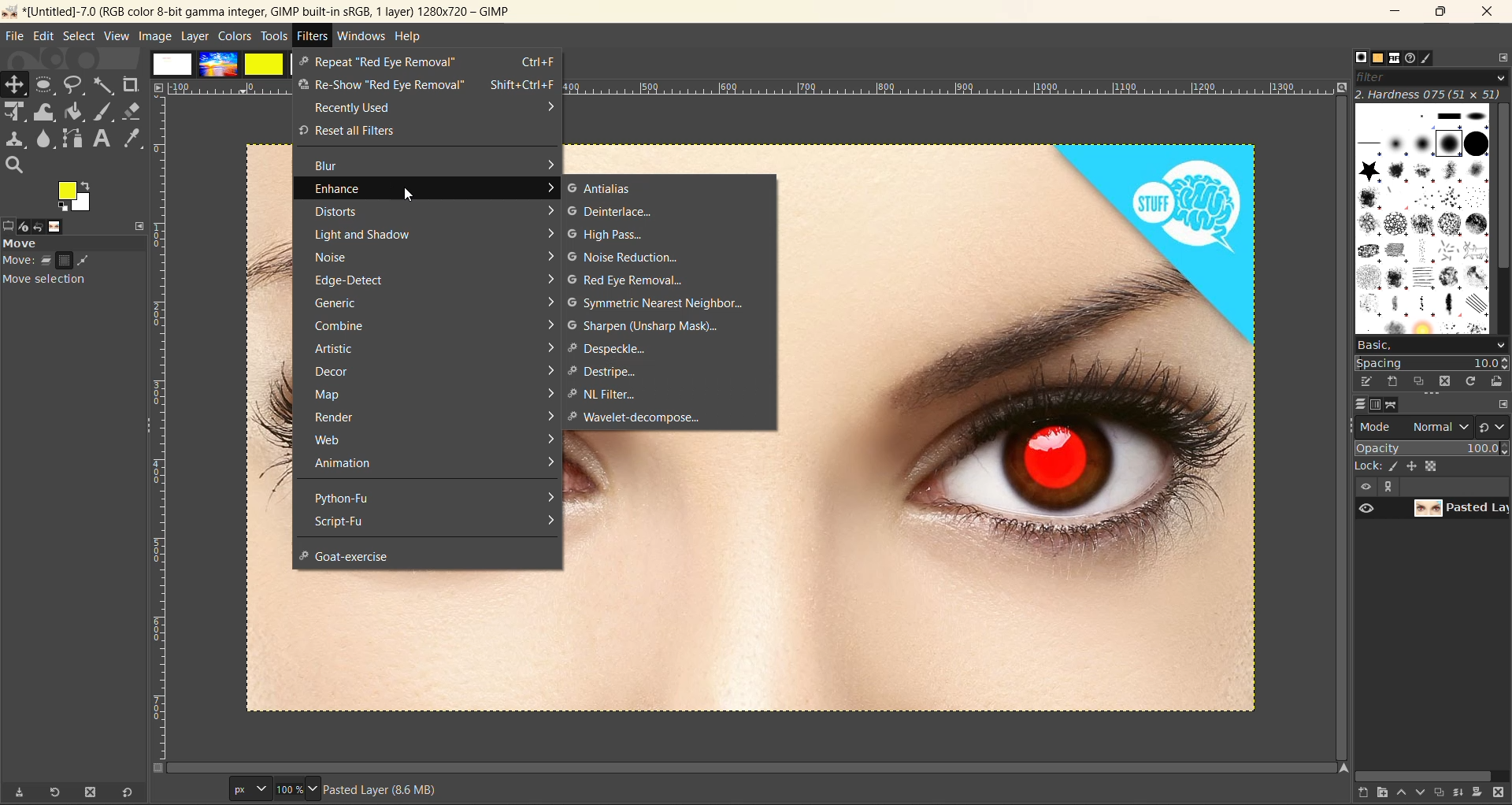 The height and width of the screenshot is (805, 1512). What do you see at coordinates (33, 227) in the screenshot?
I see `device status, undo history` at bounding box center [33, 227].